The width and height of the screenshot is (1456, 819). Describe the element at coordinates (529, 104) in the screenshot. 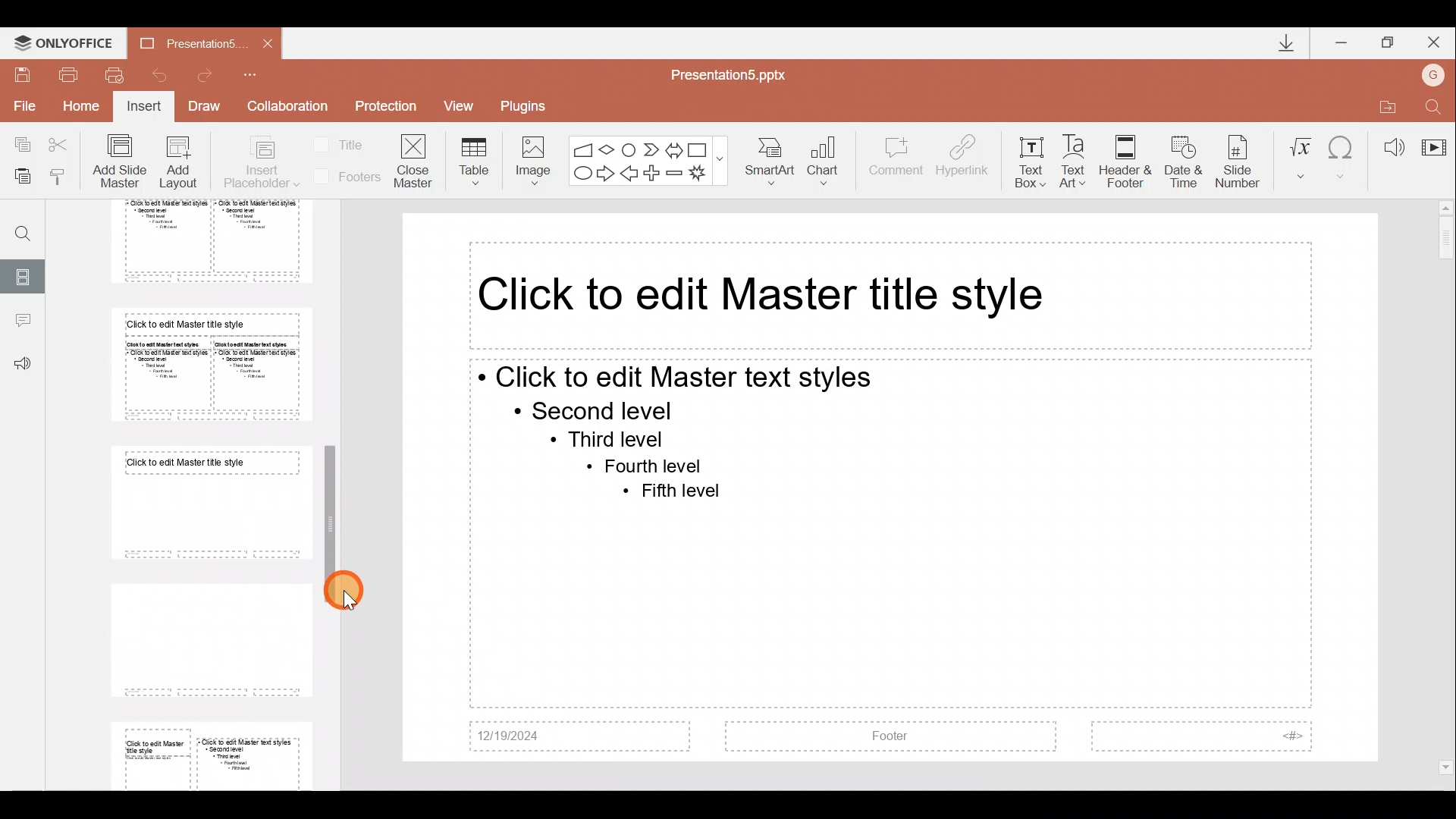

I see `Plugins` at that location.